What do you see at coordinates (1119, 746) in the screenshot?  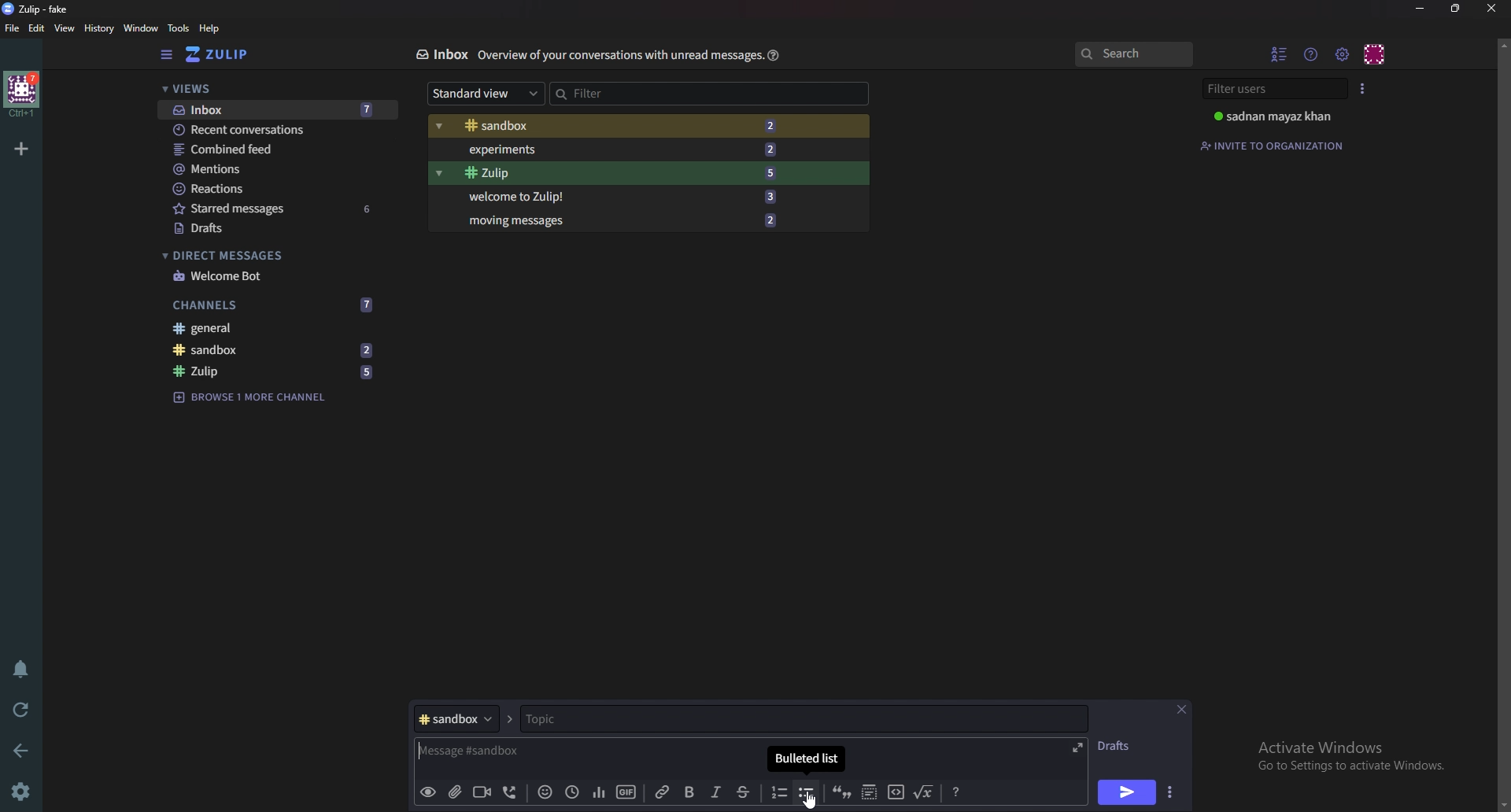 I see `Drafts` at bounding box center [1119, 746].